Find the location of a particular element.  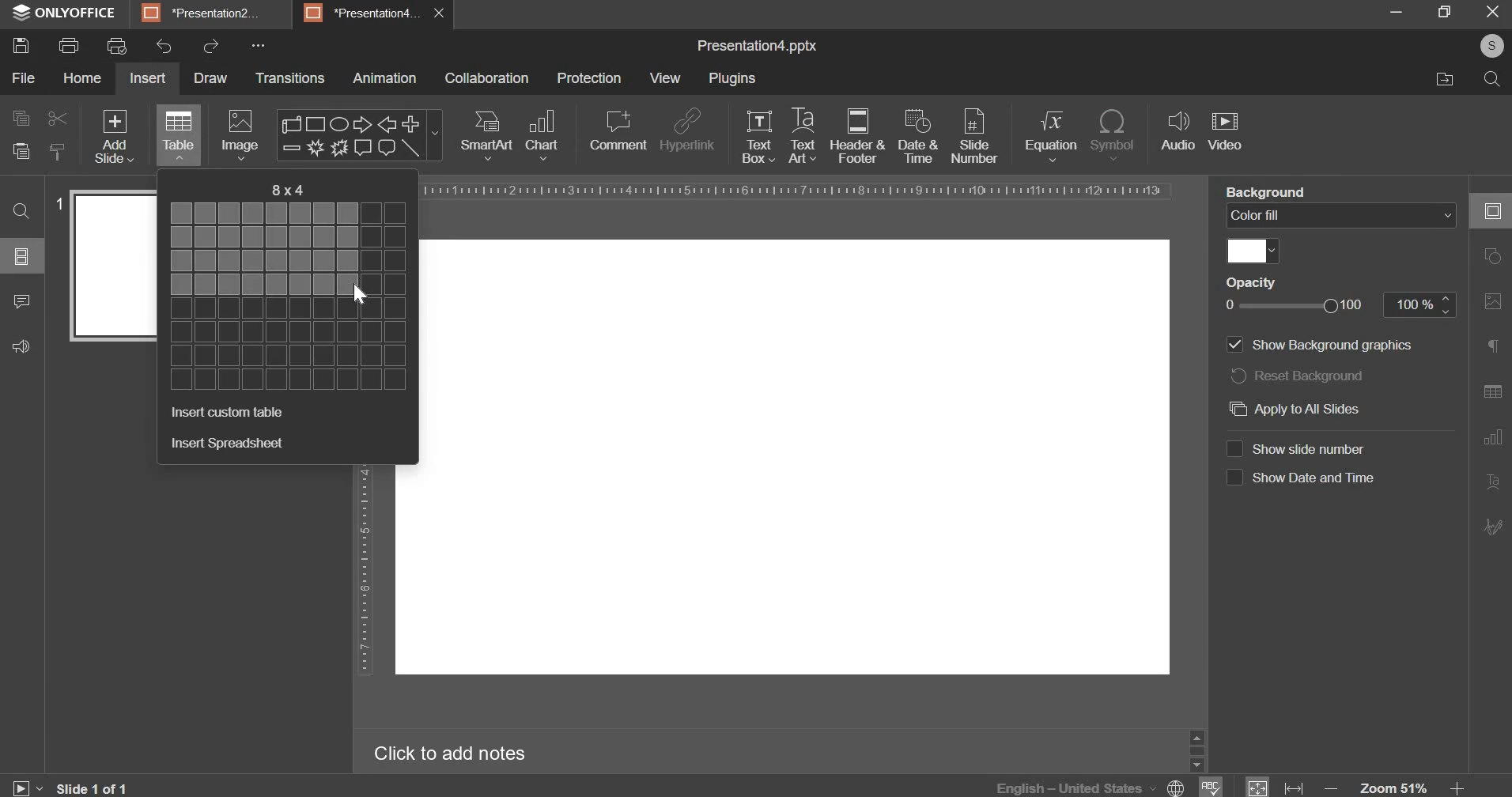

chart settings is located at coordinates (1495, 436).